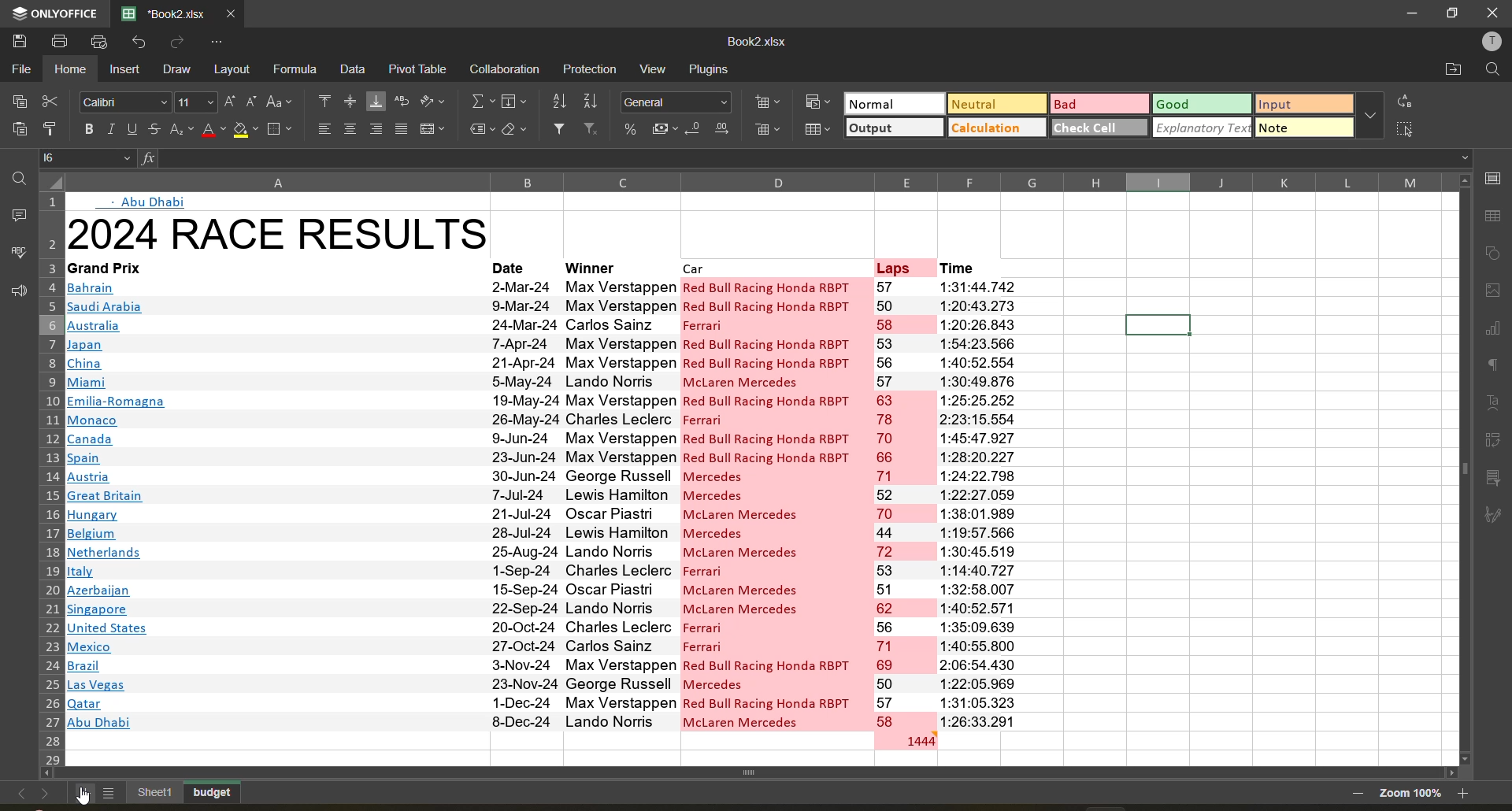 The width and height of the screenshot is (1512, 811). I want to click on close tab, so click(232, 13).